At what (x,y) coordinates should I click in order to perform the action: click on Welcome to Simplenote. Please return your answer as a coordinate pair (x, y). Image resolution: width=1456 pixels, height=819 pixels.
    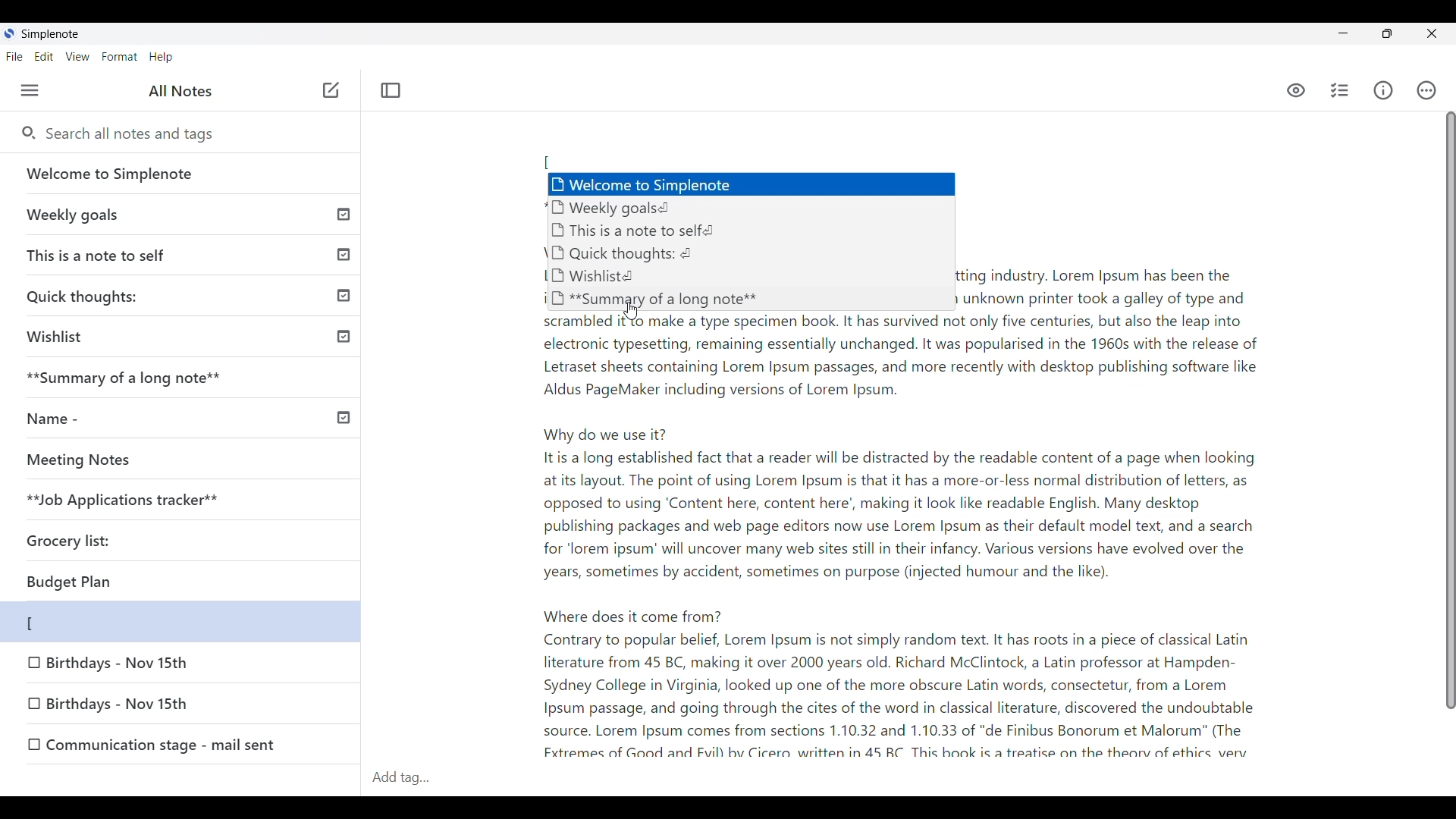
    Looking at the image, I should click on (182, 174).